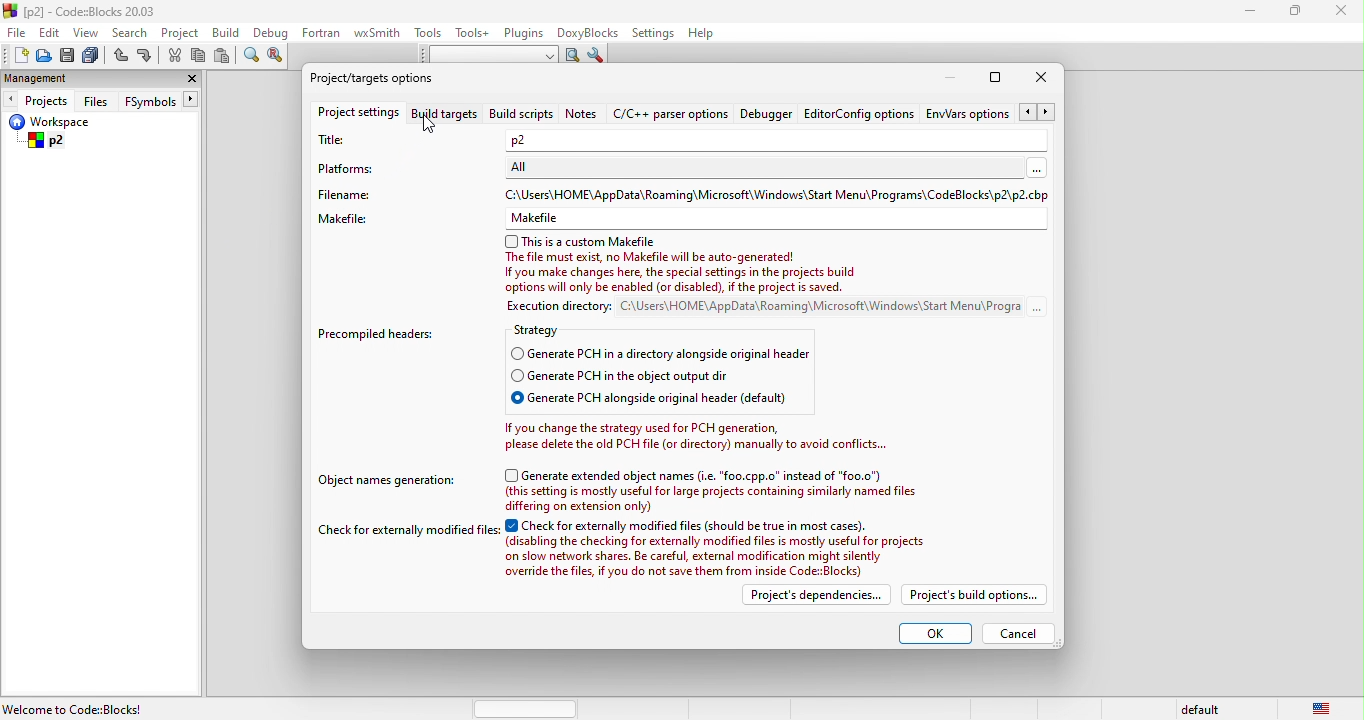 The width and height of the screenshot is (1364, 720). I want to click on The file must exist, no Makefile will be auto-generated!
If you make changes here, the special settings in the projects build
‘options will only be enabled (or disabled), f the project is saved., so click(685, 274).